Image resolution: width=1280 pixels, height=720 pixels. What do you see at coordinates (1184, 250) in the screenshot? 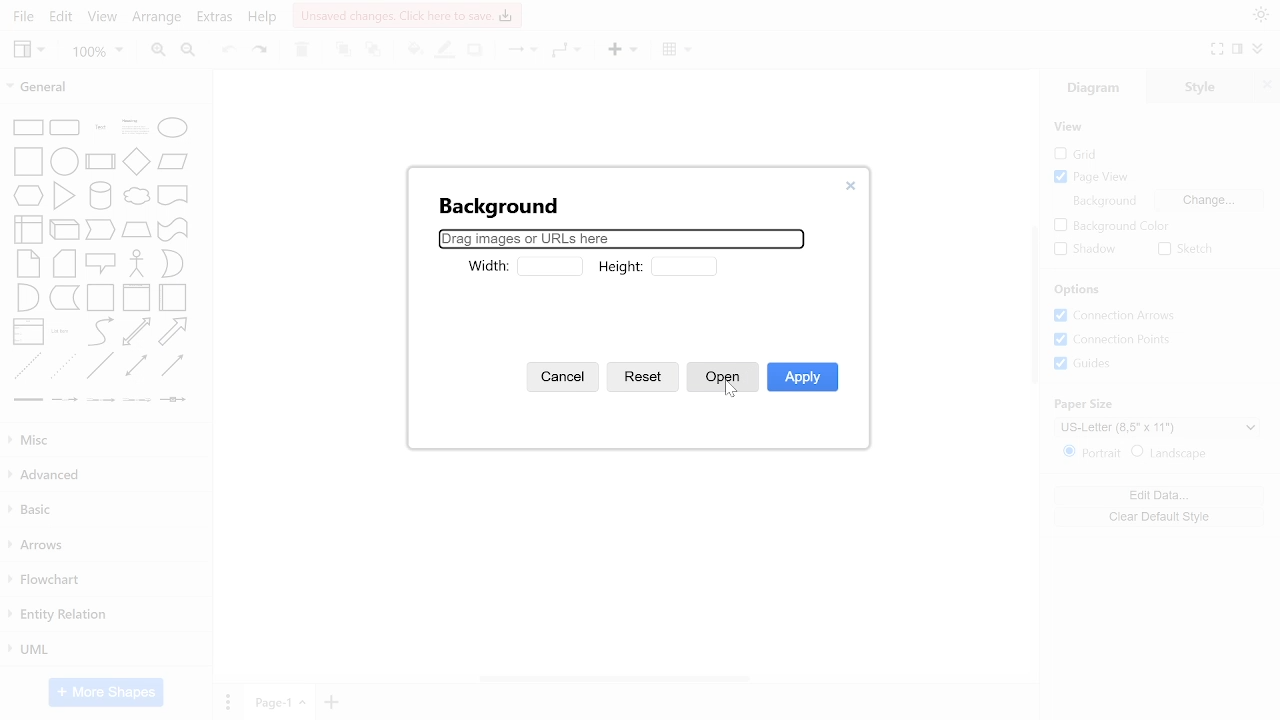
I see `sketch` at bounding box center [1184, 250].